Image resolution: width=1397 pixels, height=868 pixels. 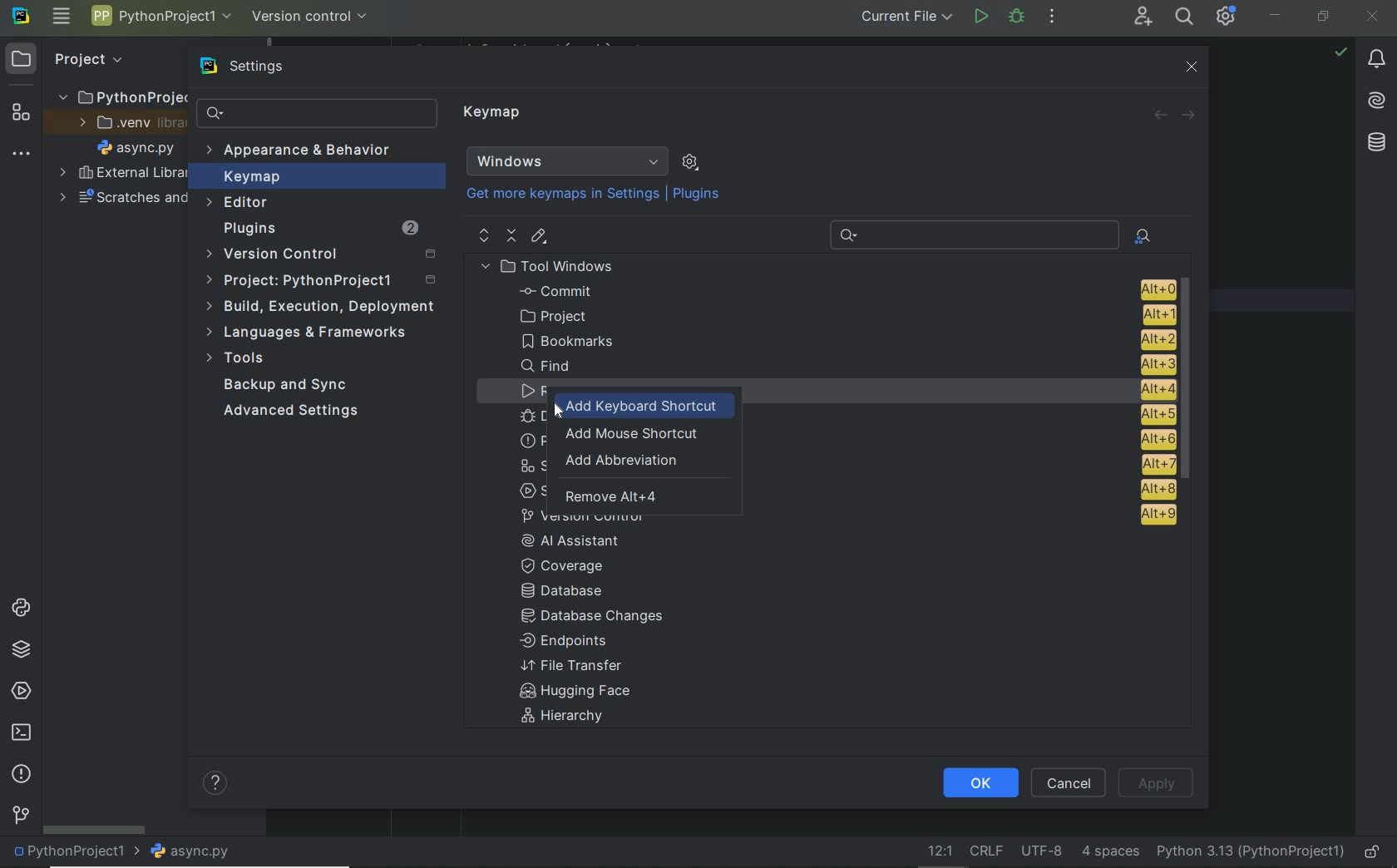 What do you see at coordinates (20, 650) in the screenshot?
I see `python packages` at bounding box center [20, 650].